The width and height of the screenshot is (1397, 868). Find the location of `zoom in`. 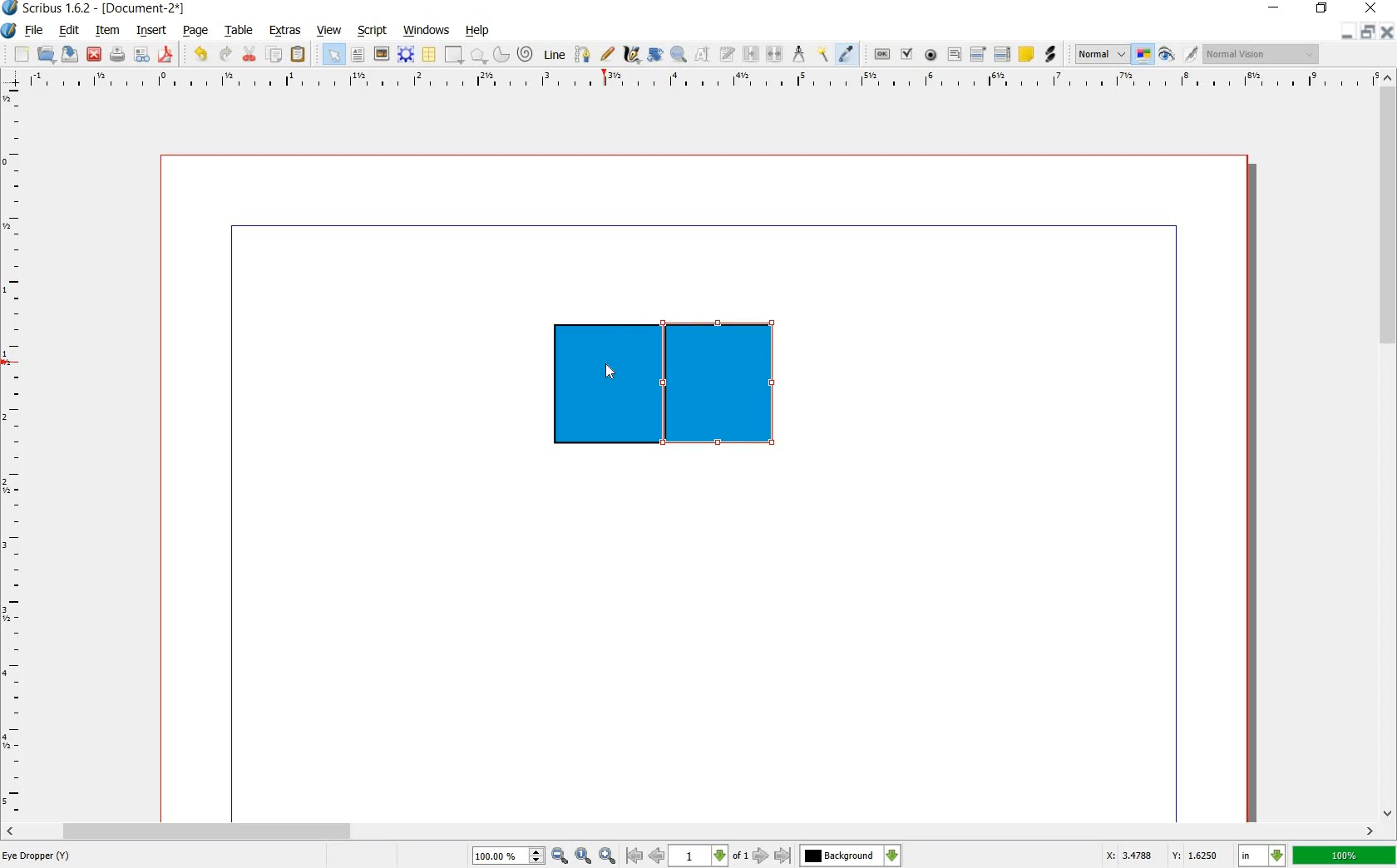

zoom in is located at coordinates (606, 855).